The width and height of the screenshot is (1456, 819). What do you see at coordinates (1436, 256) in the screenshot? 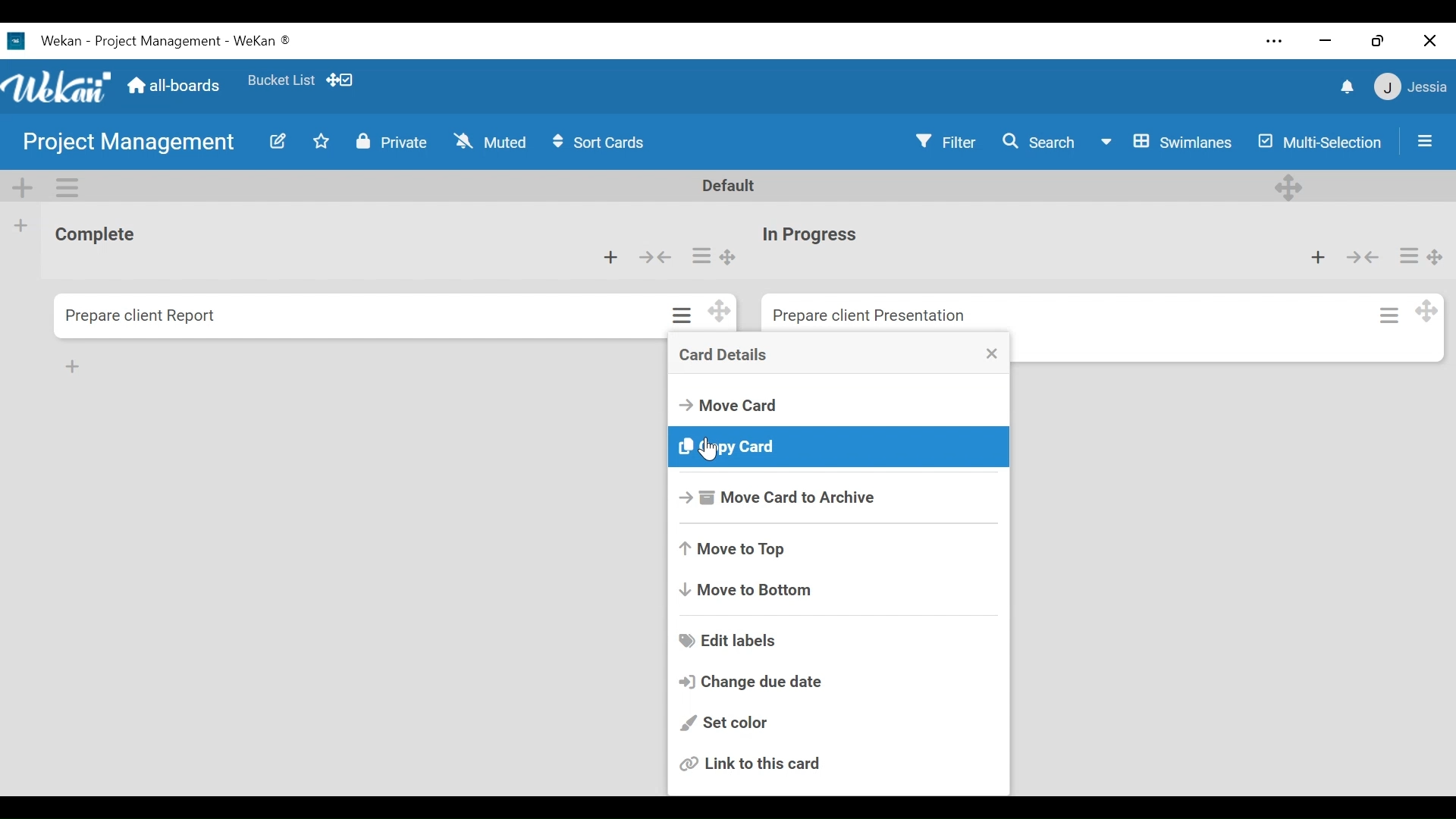
I see `Desktop drag handle` at bounding box center [1436, 256].